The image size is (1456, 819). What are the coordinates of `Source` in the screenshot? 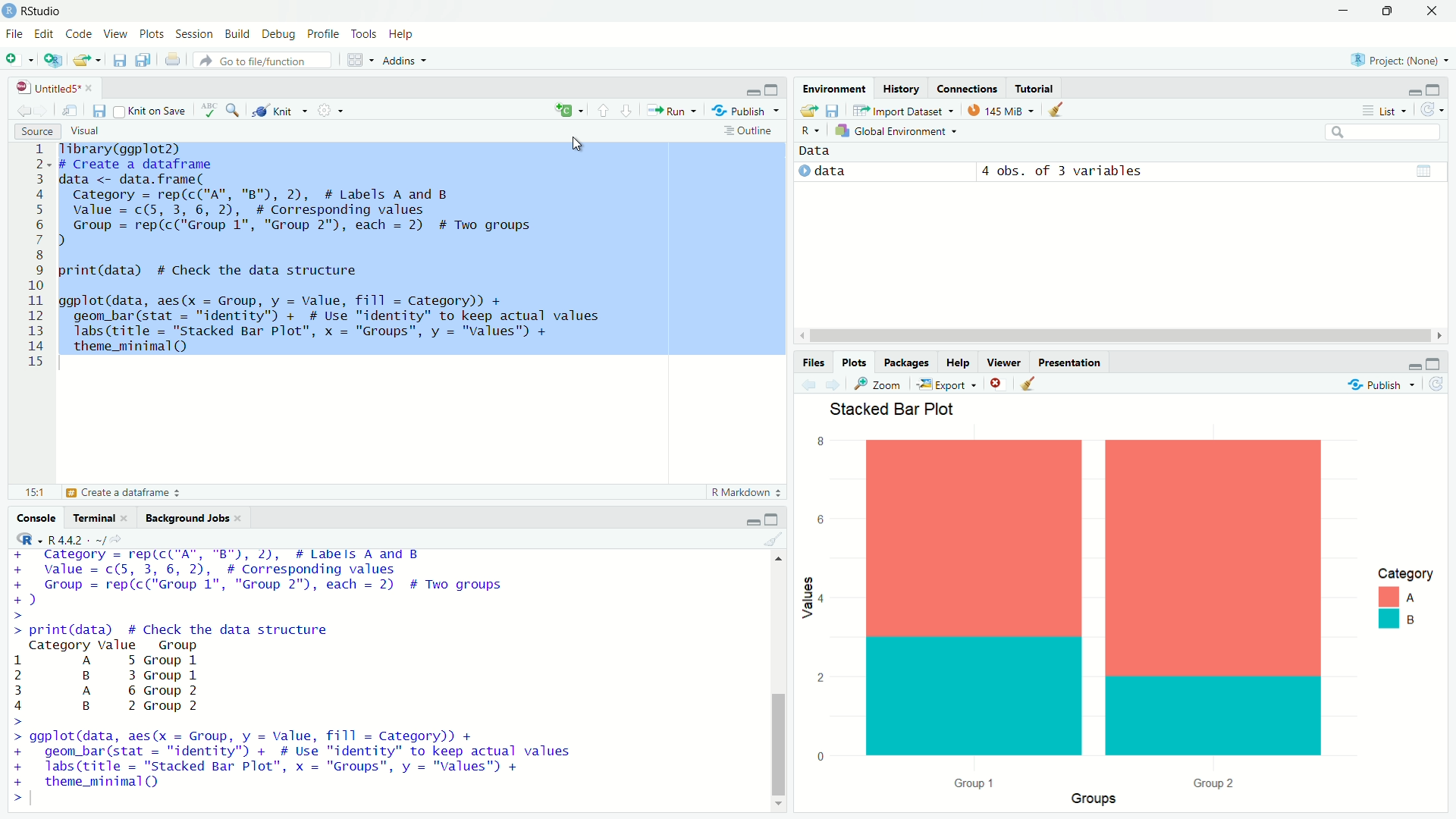 It's located at (36, 130).